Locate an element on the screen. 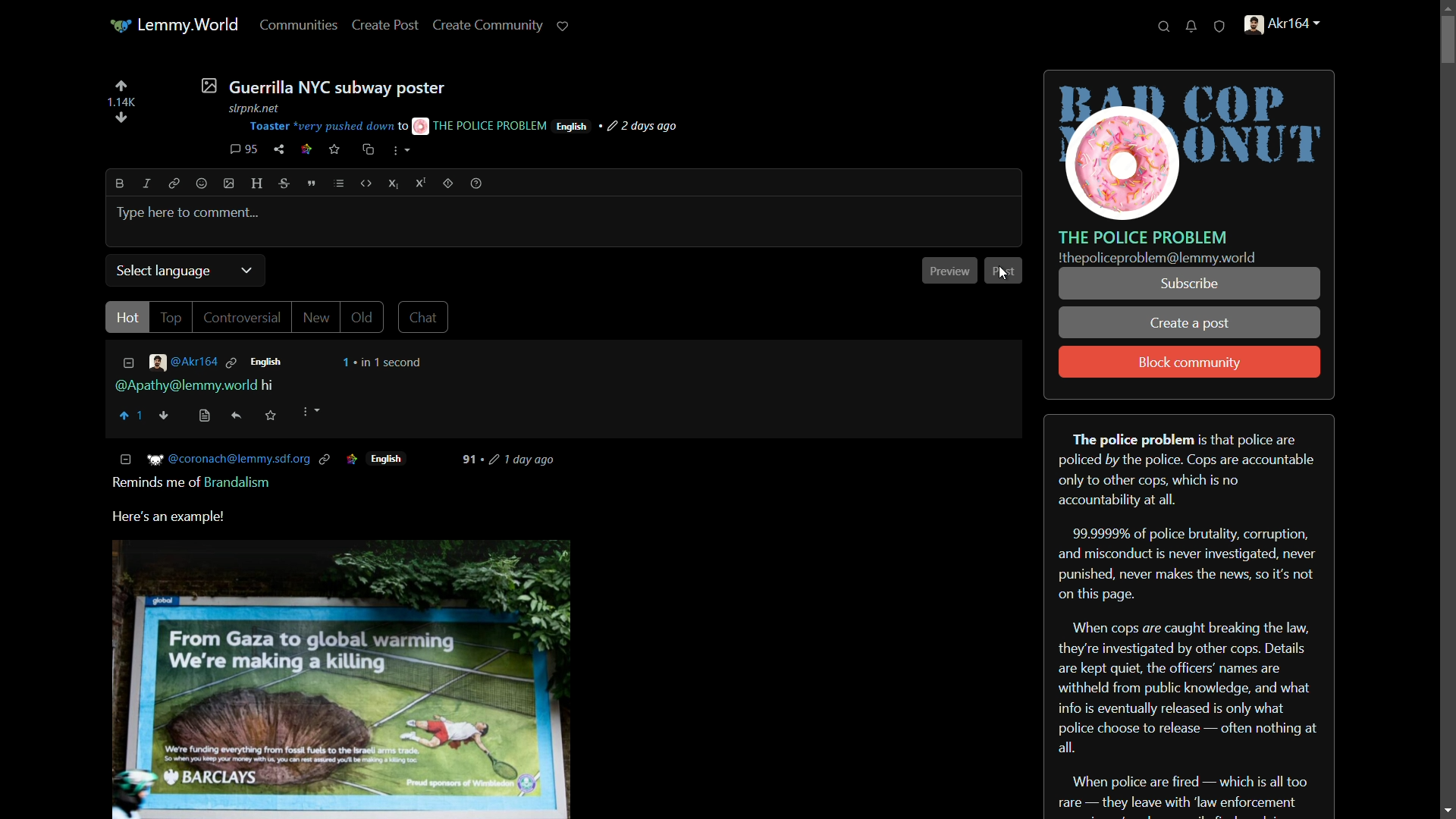 Image resolution: width=1456 pixels, height=819 pixels. header is located at coordinates (258, 184).